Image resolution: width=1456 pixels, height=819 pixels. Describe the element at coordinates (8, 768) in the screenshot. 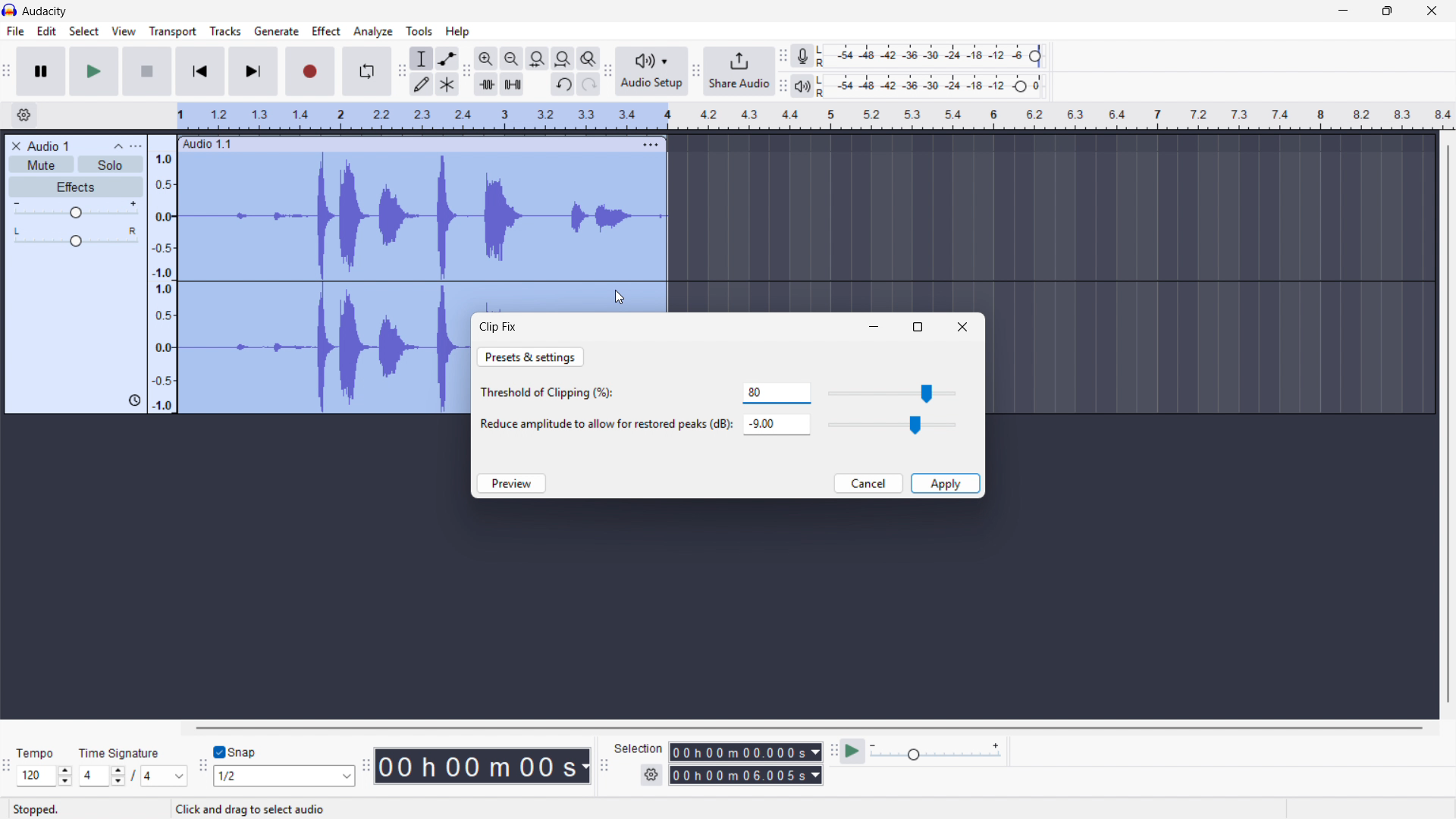

I see `Time signature toolbar` at that location.